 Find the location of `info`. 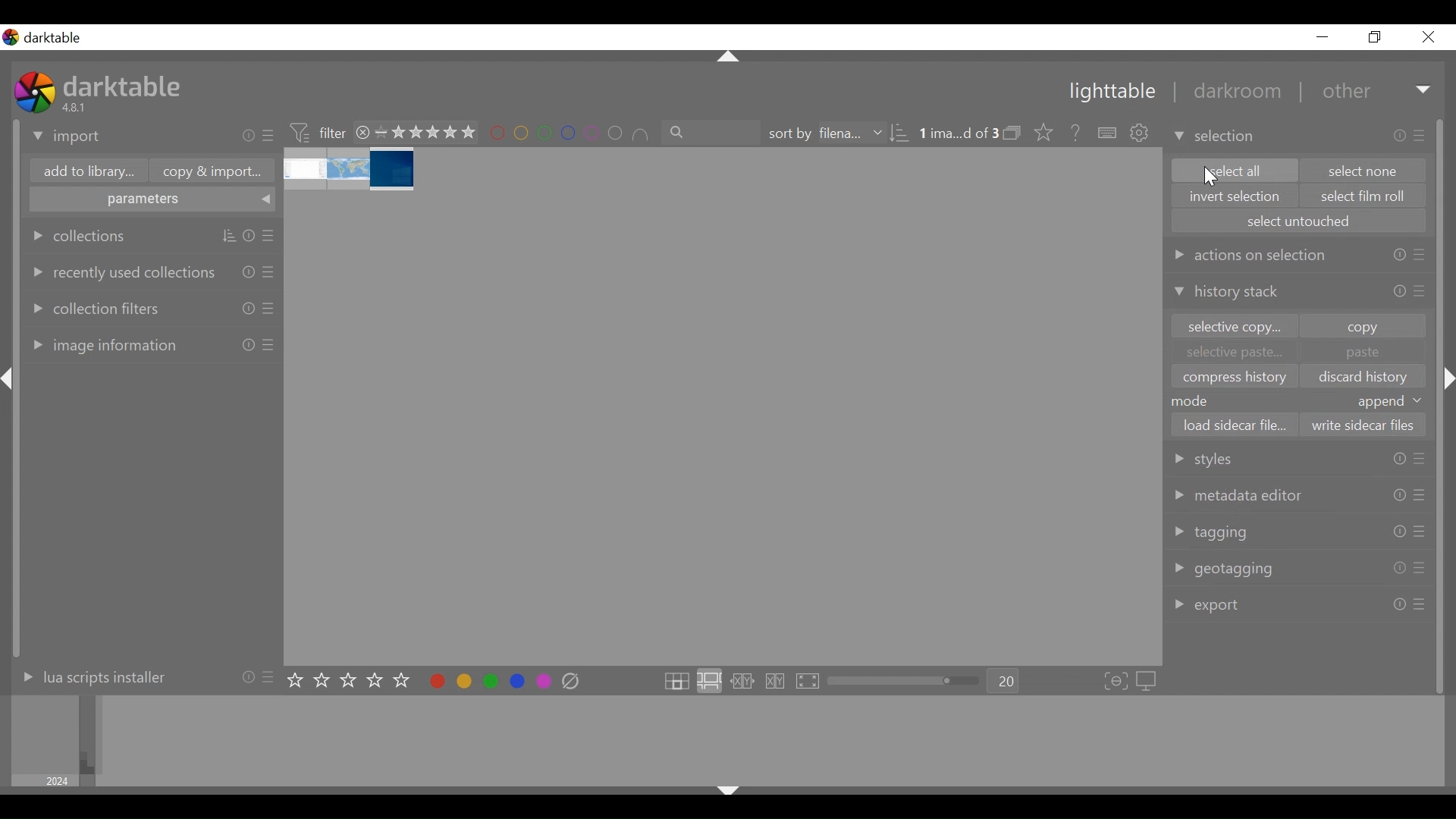

info is located at coordinates (249, 308).